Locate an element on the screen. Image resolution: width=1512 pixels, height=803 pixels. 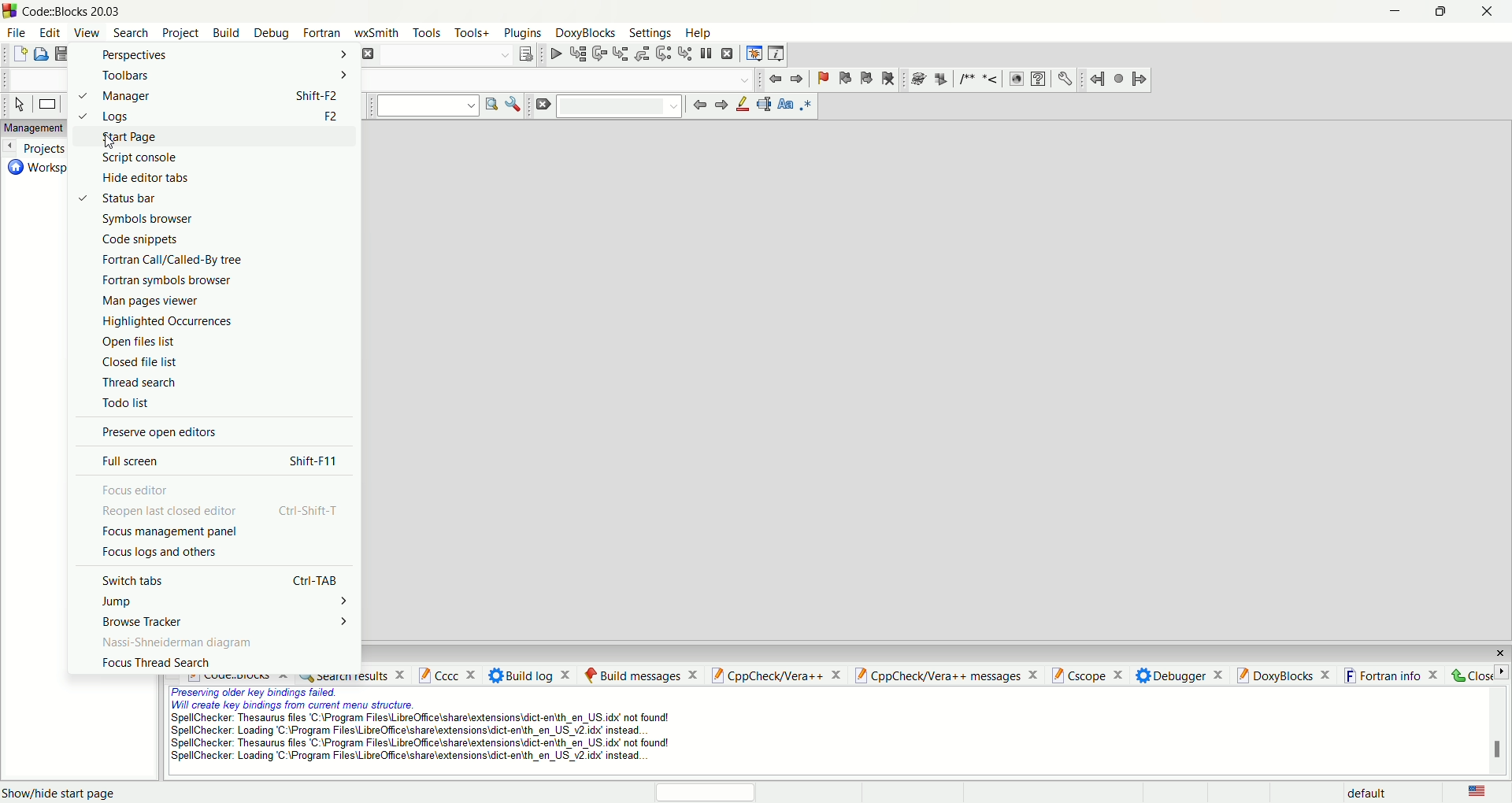
view is located at coordinates (87, 34).